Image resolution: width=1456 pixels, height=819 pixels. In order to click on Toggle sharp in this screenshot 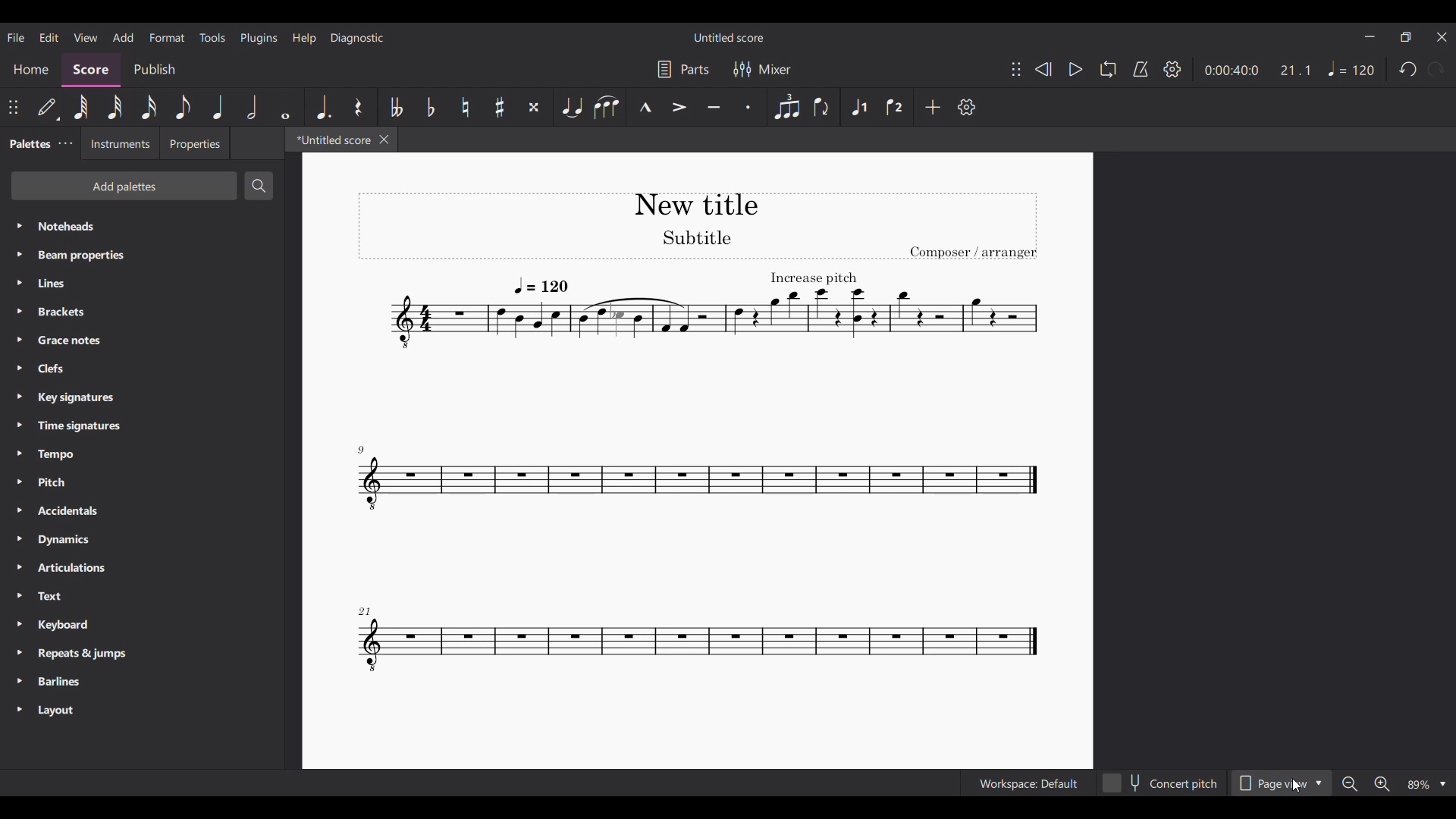, I will do `click(499, 107)`.